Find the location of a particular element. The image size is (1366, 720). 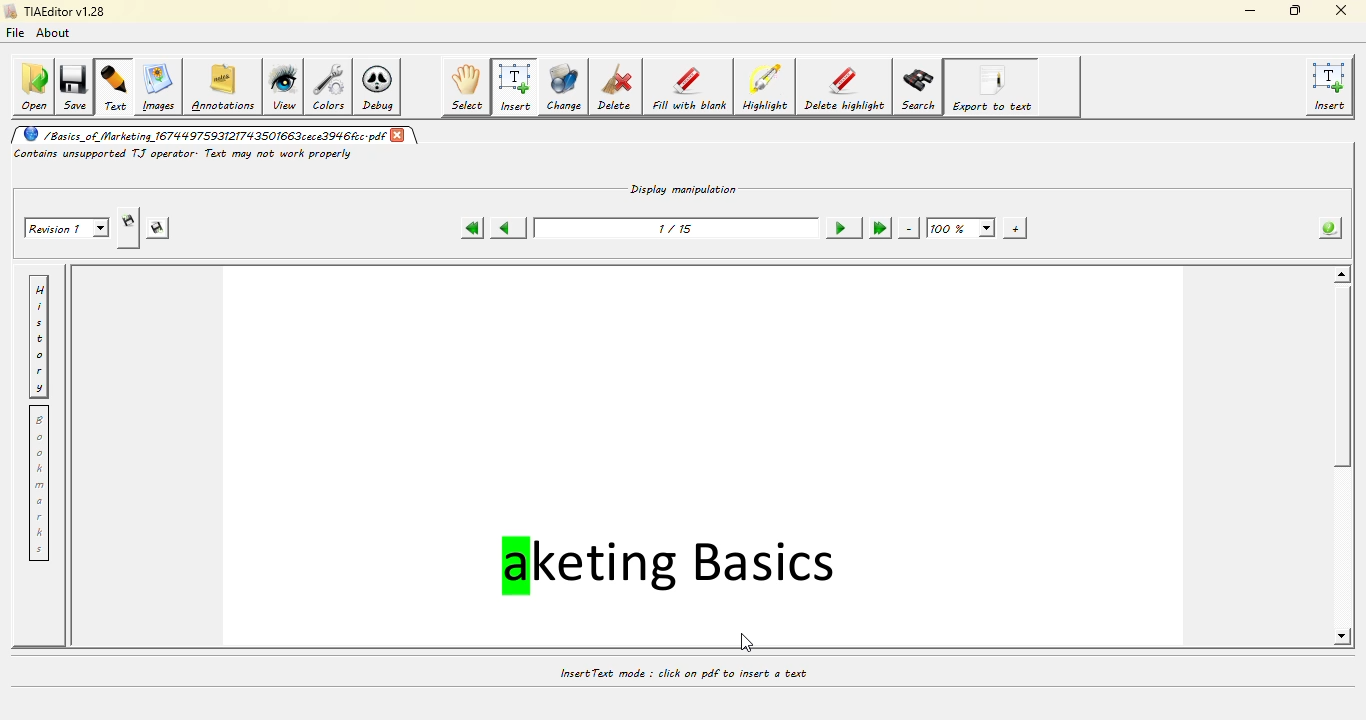

colors is located at coordinates (332, 88).